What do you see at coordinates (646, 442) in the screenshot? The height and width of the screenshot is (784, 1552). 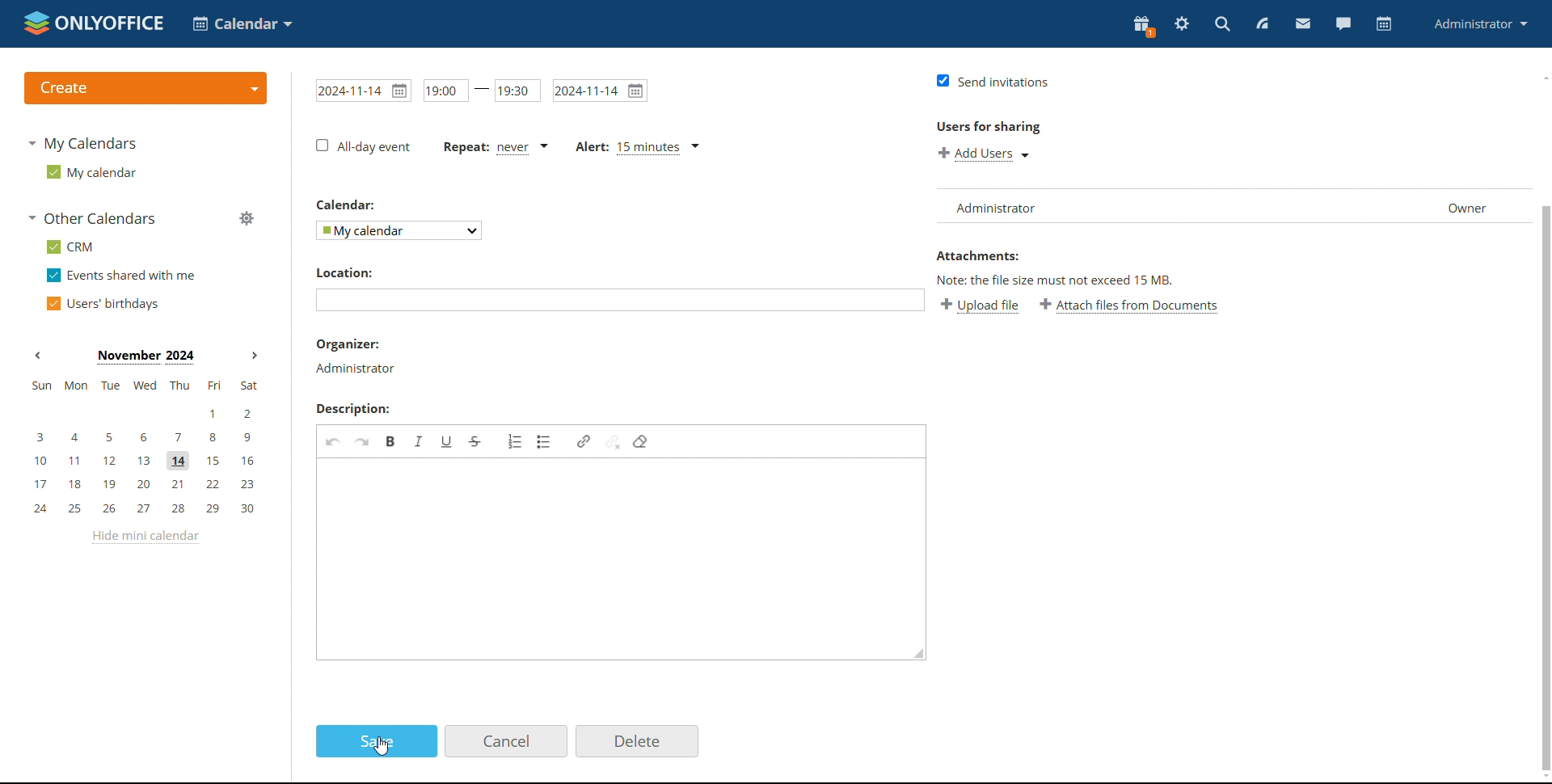 I see `remove format` at bounding box center [646, 442].